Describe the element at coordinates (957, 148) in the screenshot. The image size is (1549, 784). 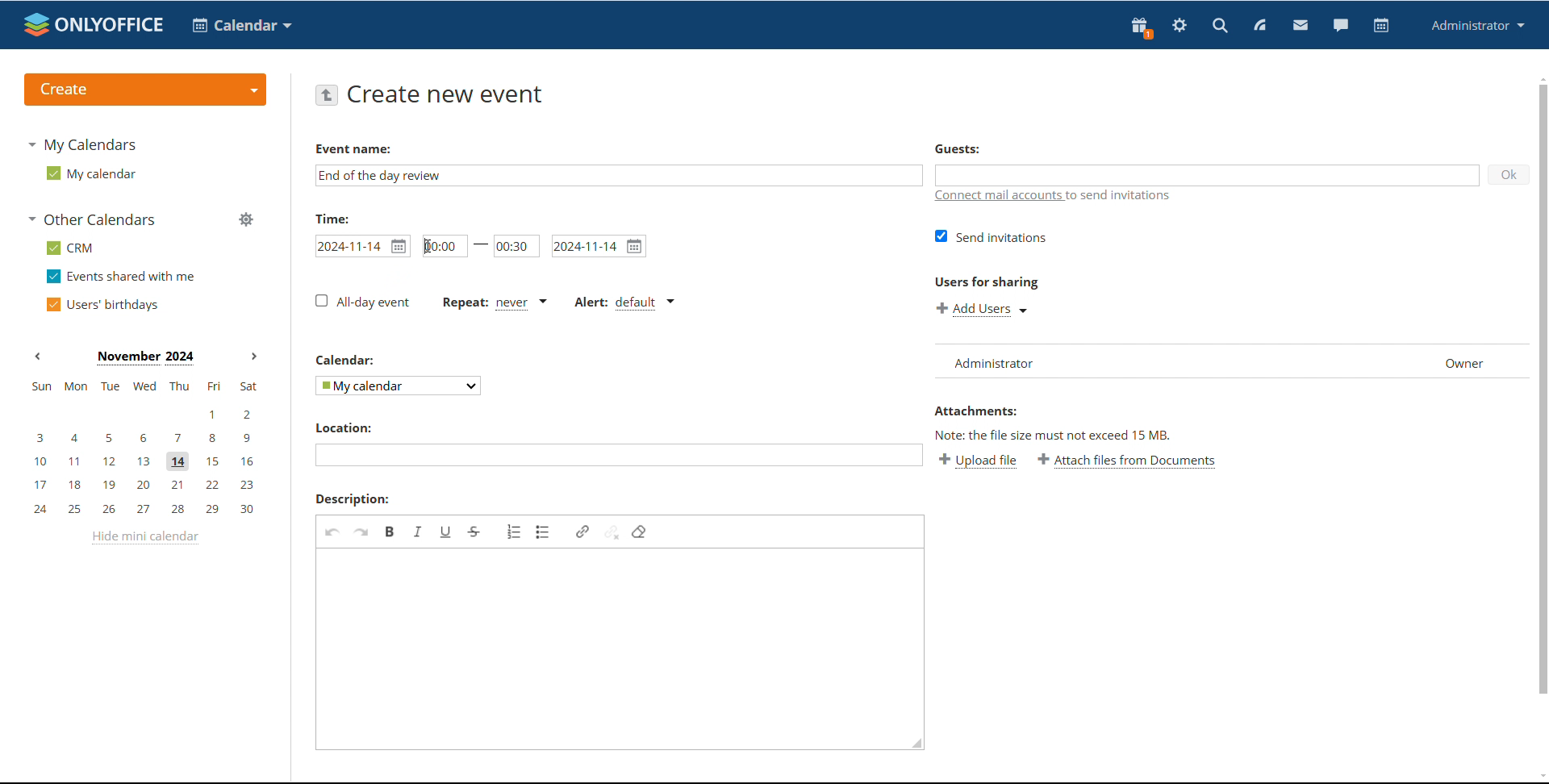
I see `guests` at that location.